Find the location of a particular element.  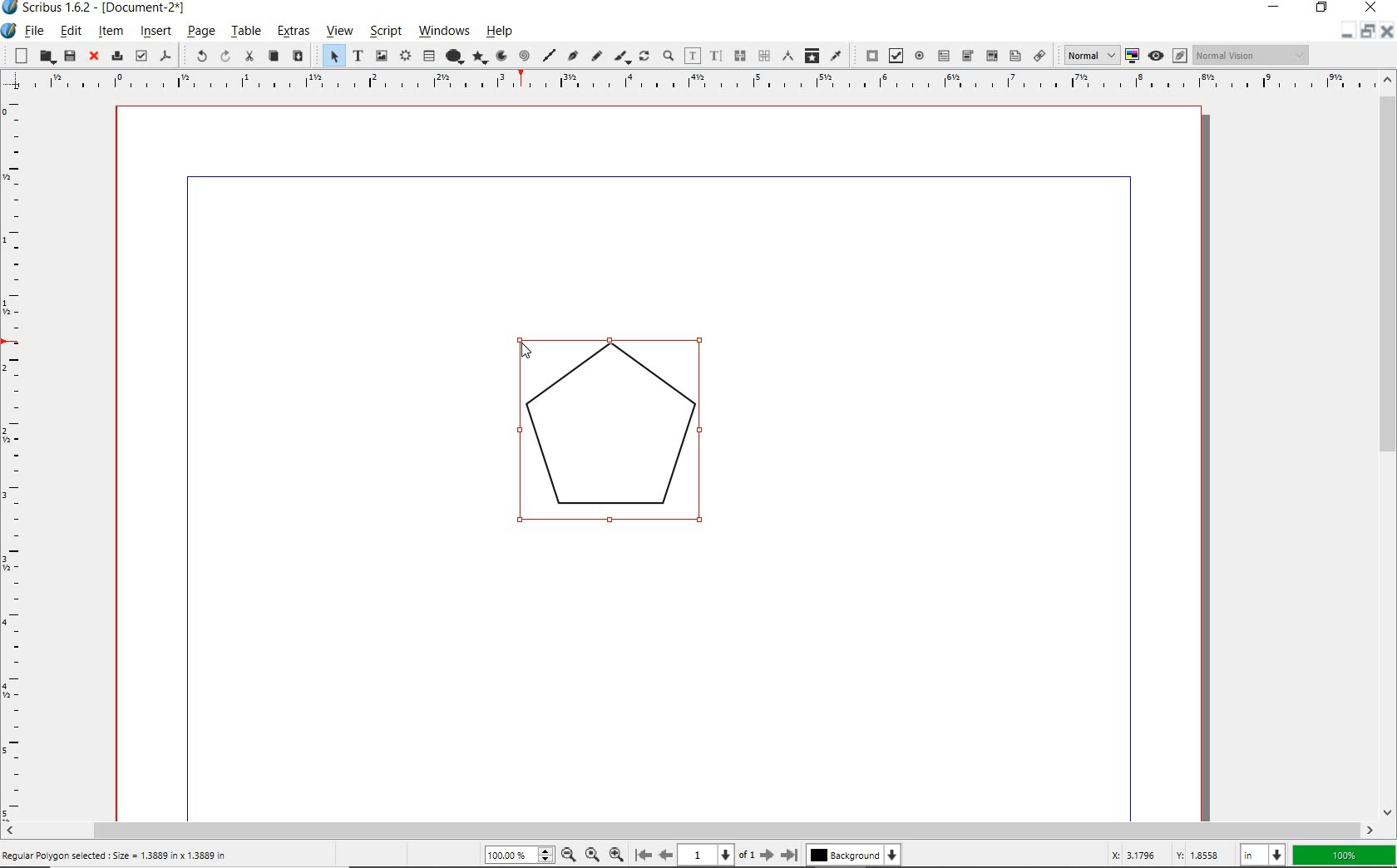

Restore is located at coordinates (1366, 33).